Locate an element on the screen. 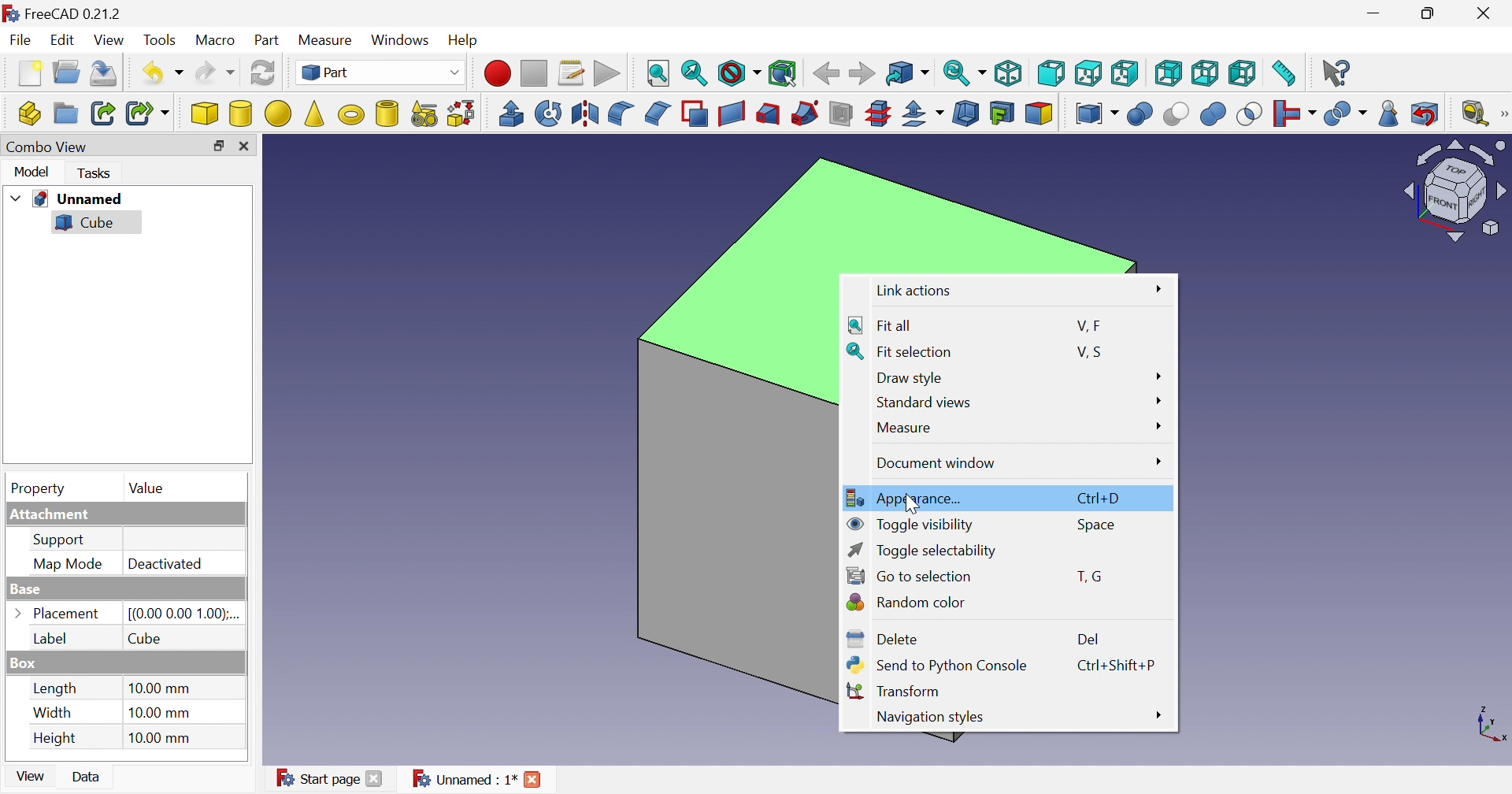  Join objects is located at coordinates (1297, 113).